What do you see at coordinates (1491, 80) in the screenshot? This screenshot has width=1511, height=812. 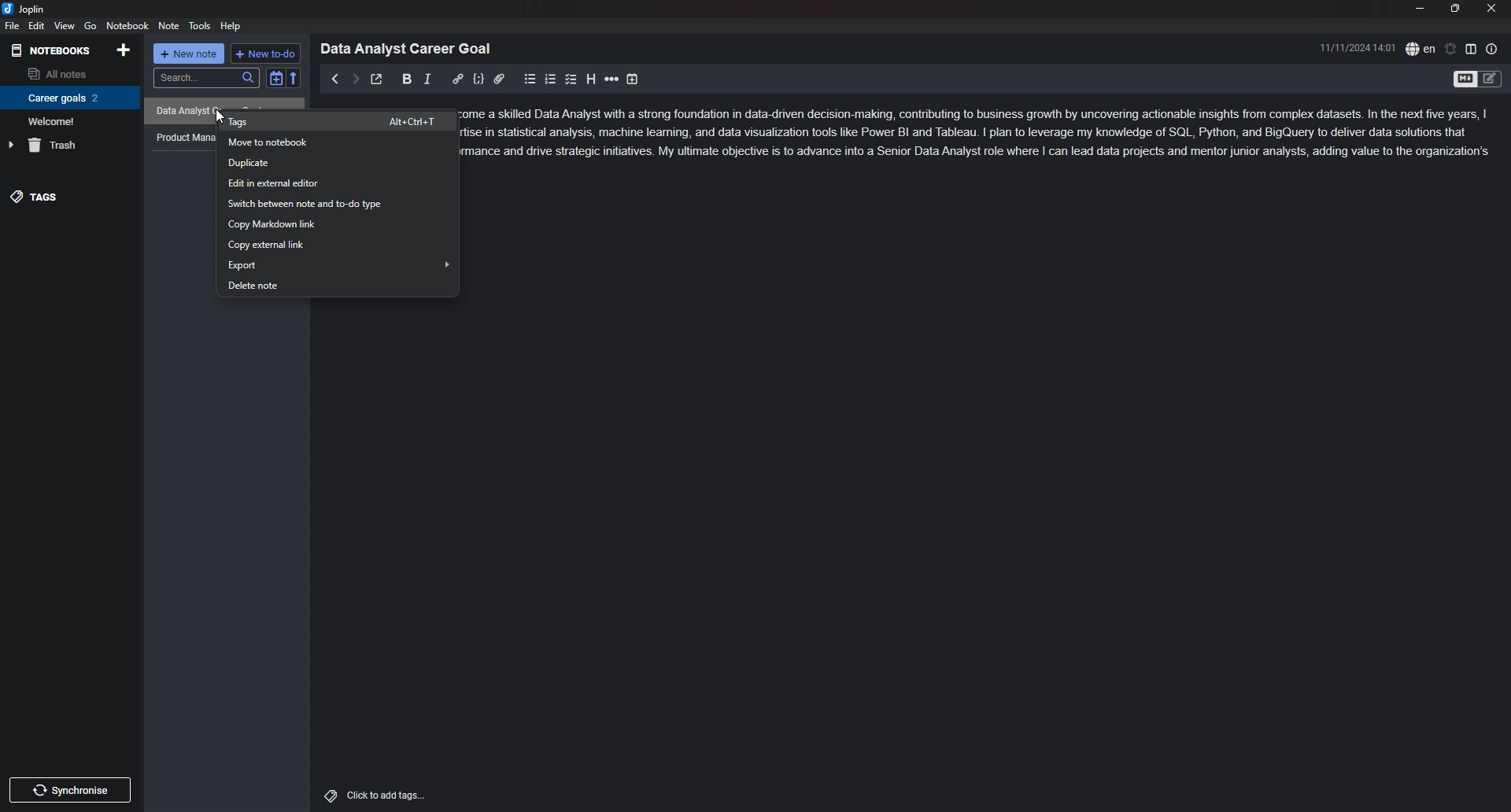 I see `Toggle Editor` at bounding box center [1491, 80].